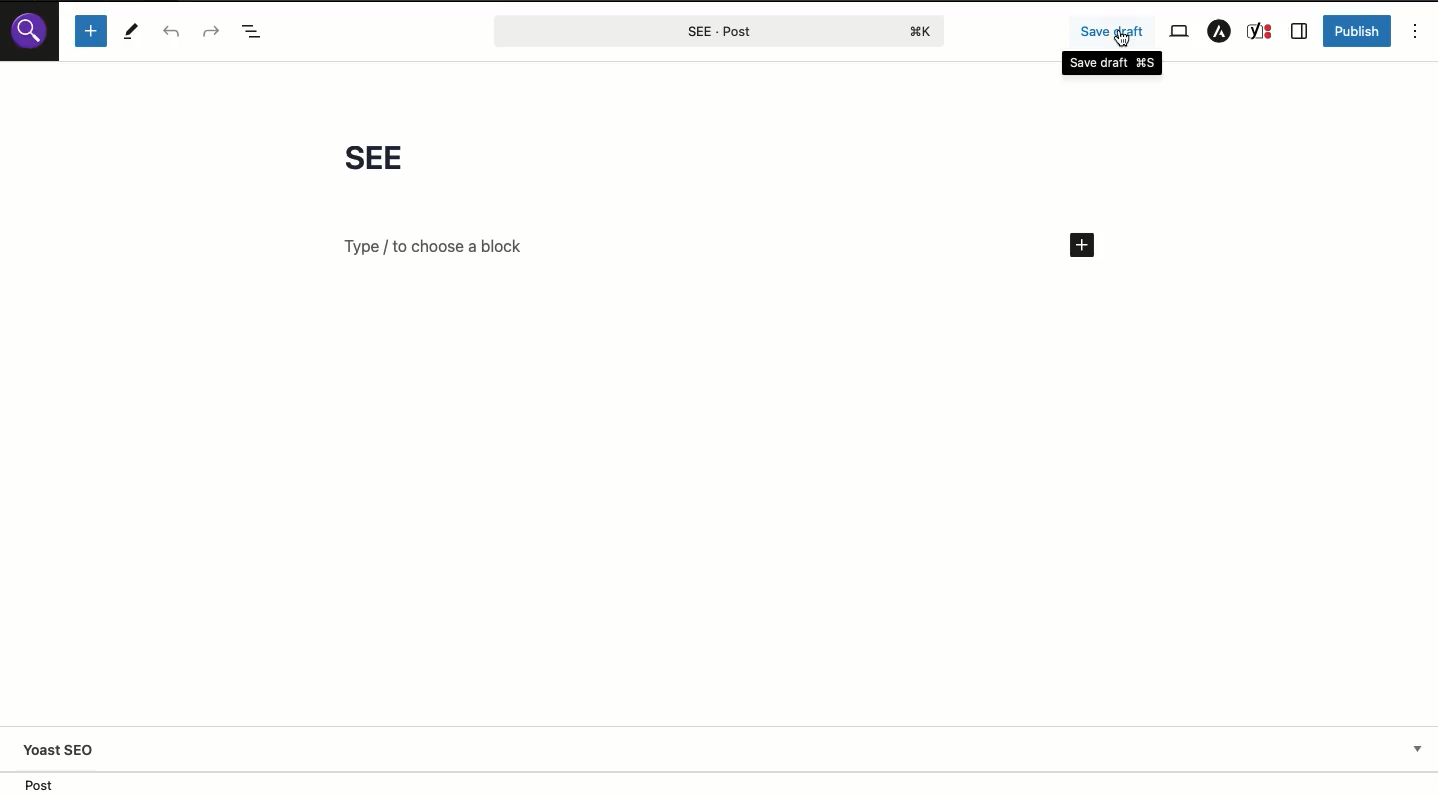  What do you see at coordinates (440, 246) in the screenshot?
I see `Add new block` at bounding box center [440, 246].